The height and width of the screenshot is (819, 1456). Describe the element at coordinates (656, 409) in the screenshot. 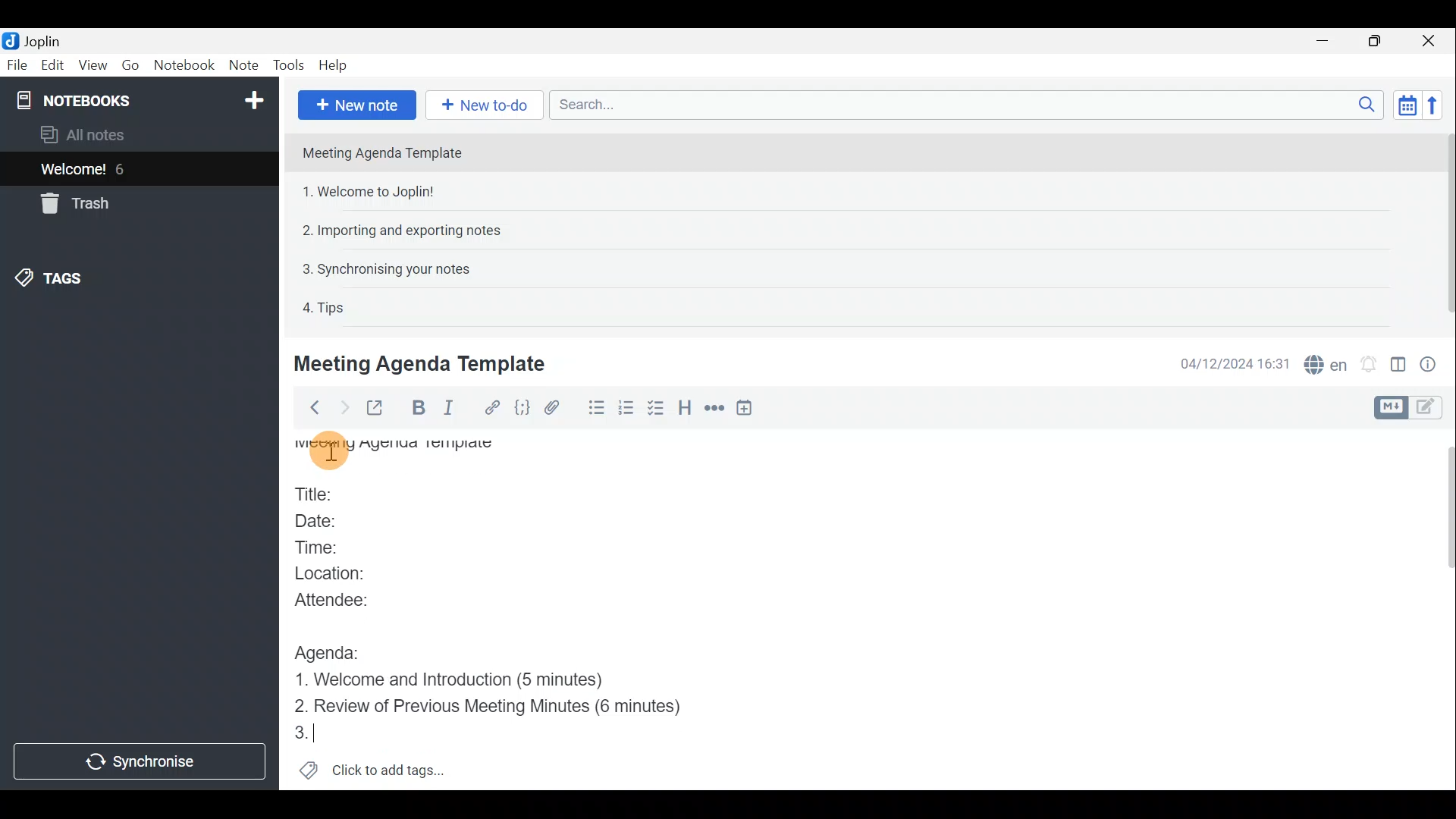

I see `Checkbox` at that location.